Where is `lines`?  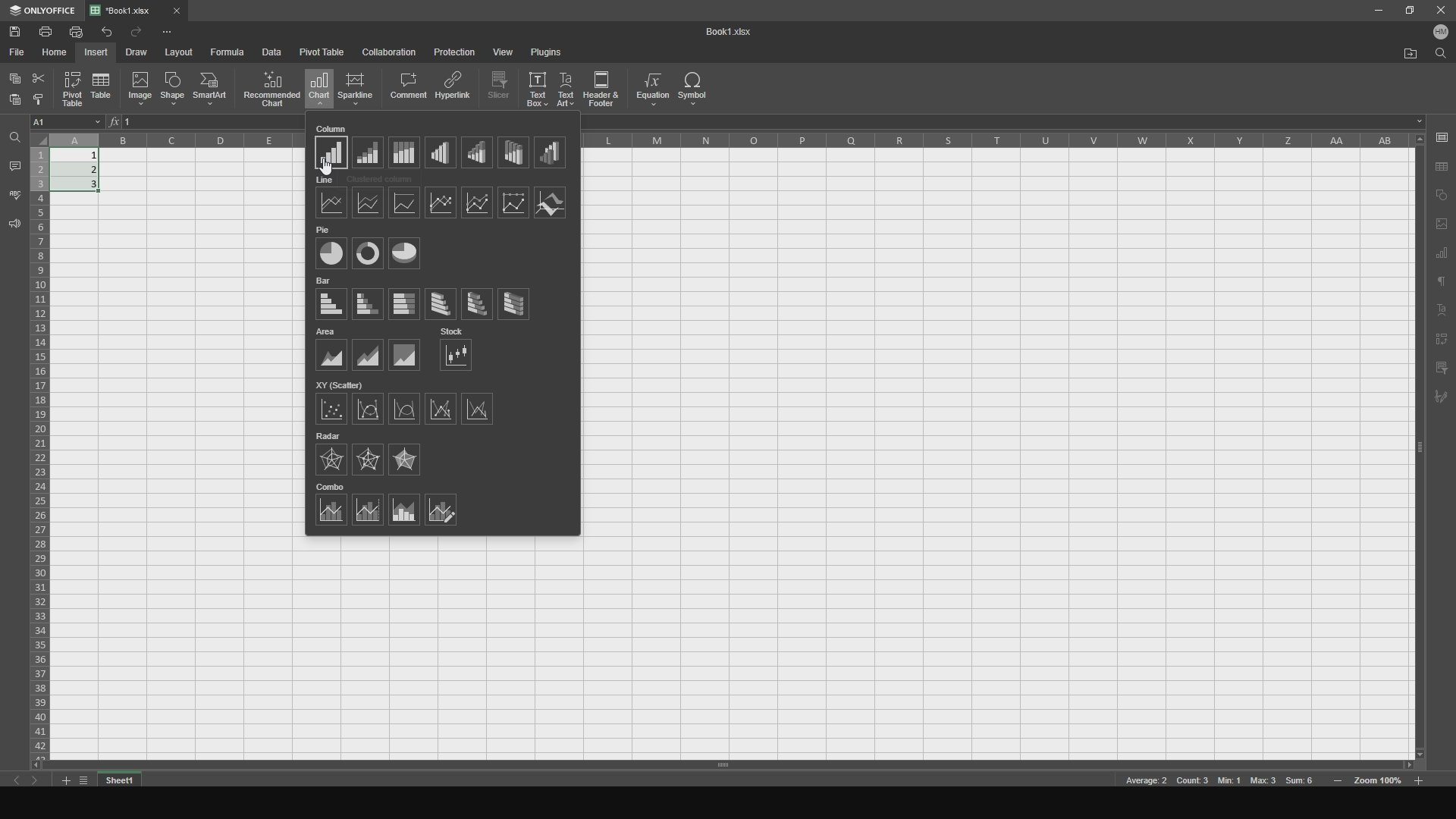 lines is located at coordinates (443, 197).